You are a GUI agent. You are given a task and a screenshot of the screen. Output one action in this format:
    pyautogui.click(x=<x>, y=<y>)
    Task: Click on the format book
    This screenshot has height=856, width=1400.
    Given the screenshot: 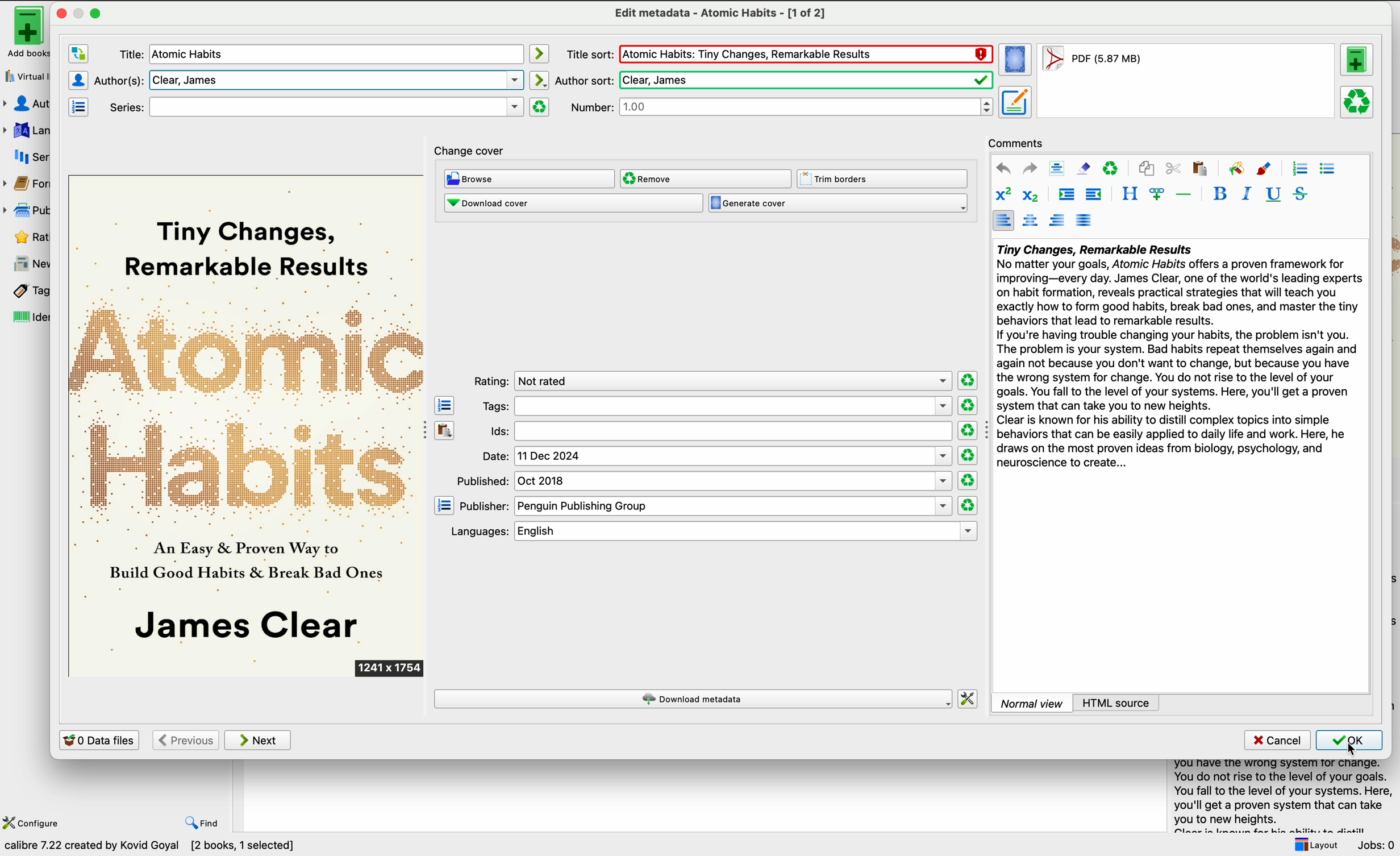 What is the action you would take?
    pyautogui.click(x=1091, y=61)
    